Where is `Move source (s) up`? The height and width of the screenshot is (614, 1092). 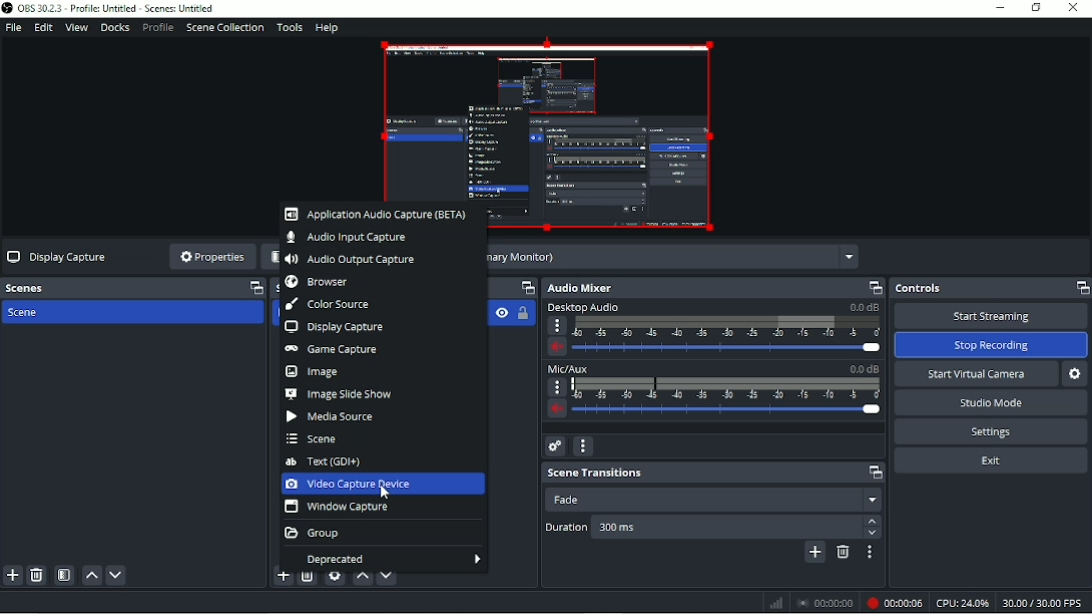
Move source (s) up is located at coordinates (363, 578).